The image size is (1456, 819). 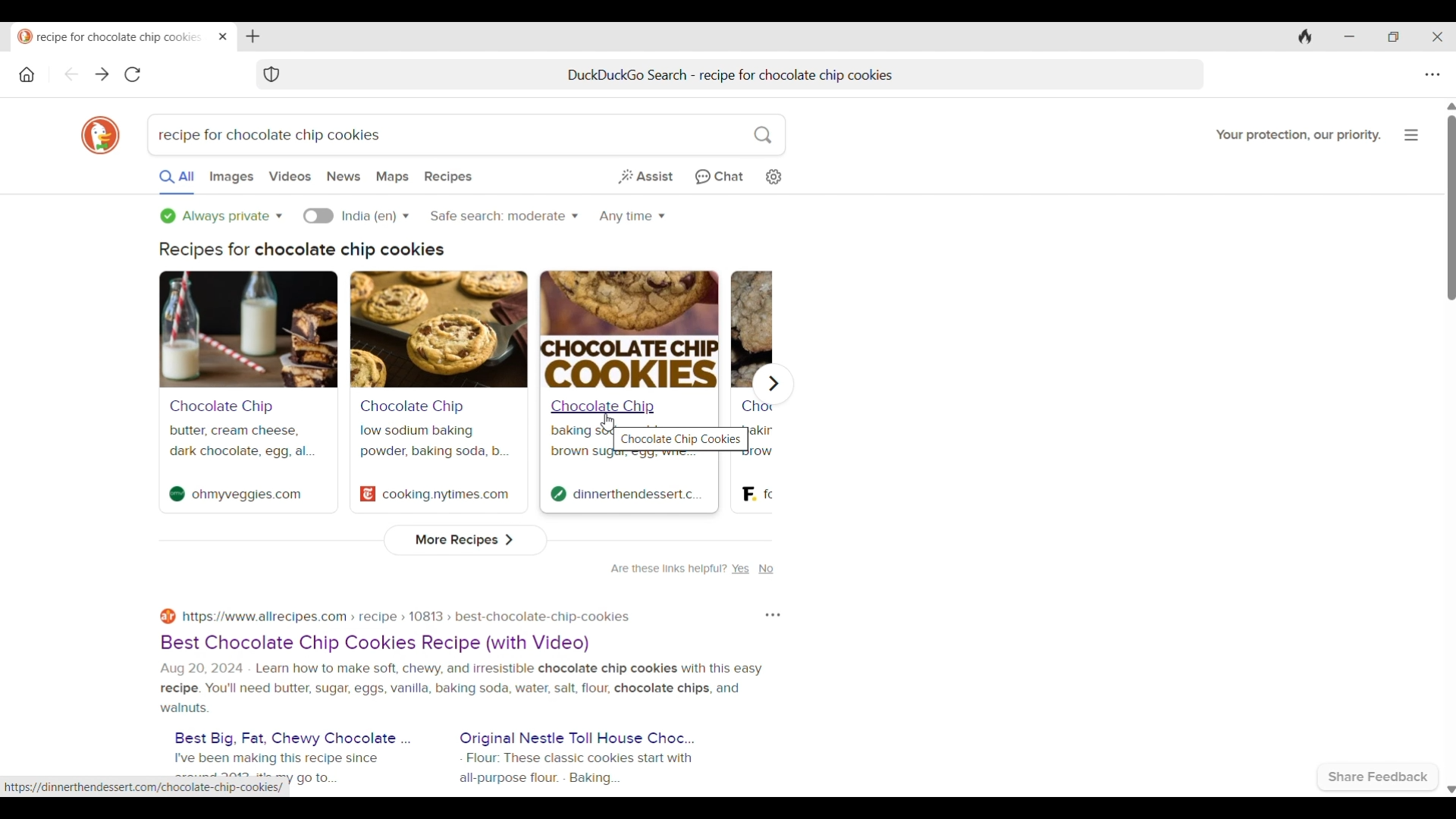 I want to click on Browser settings, so click(x=1429, y=76).